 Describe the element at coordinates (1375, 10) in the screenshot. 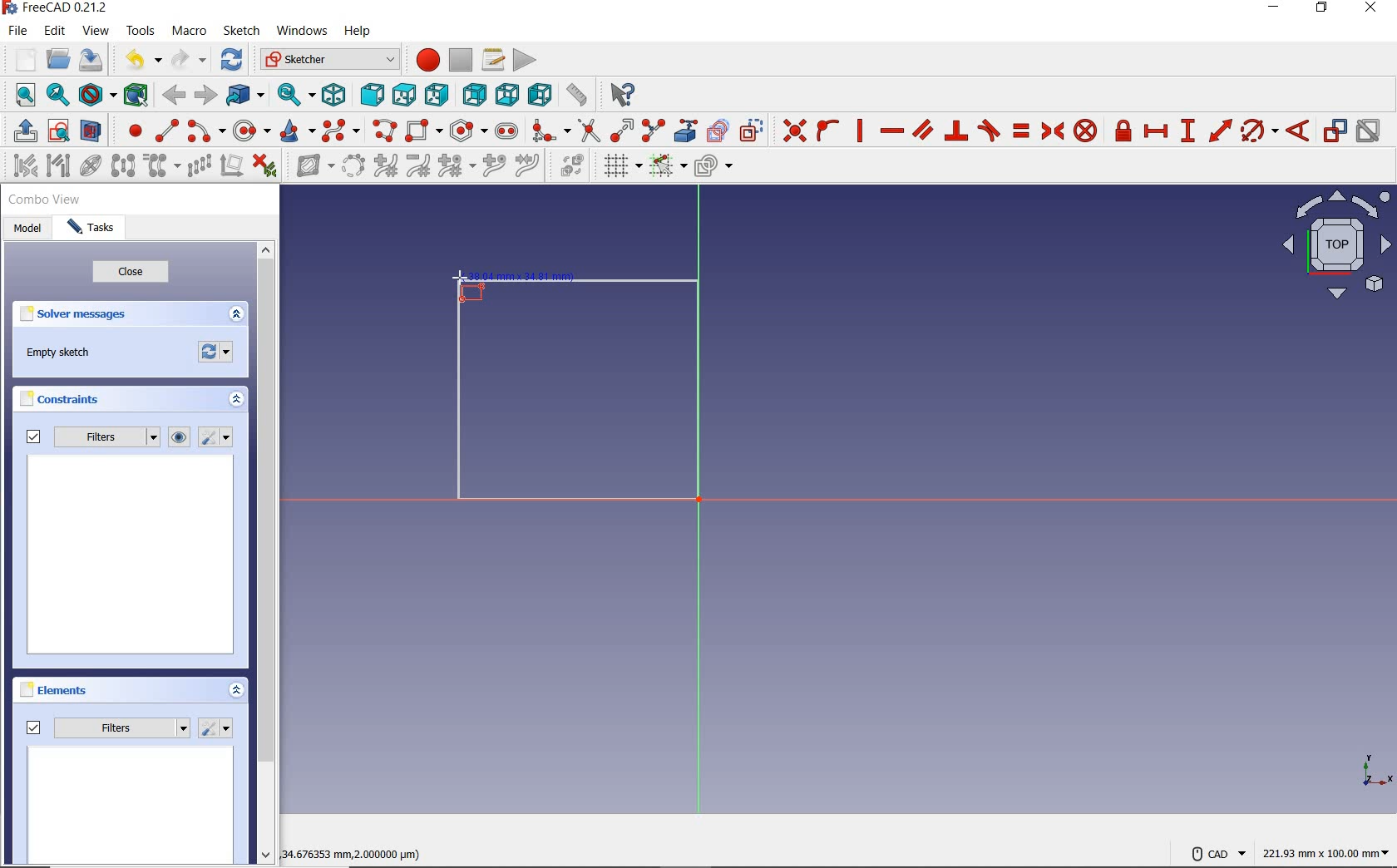

I see `close` at that location.